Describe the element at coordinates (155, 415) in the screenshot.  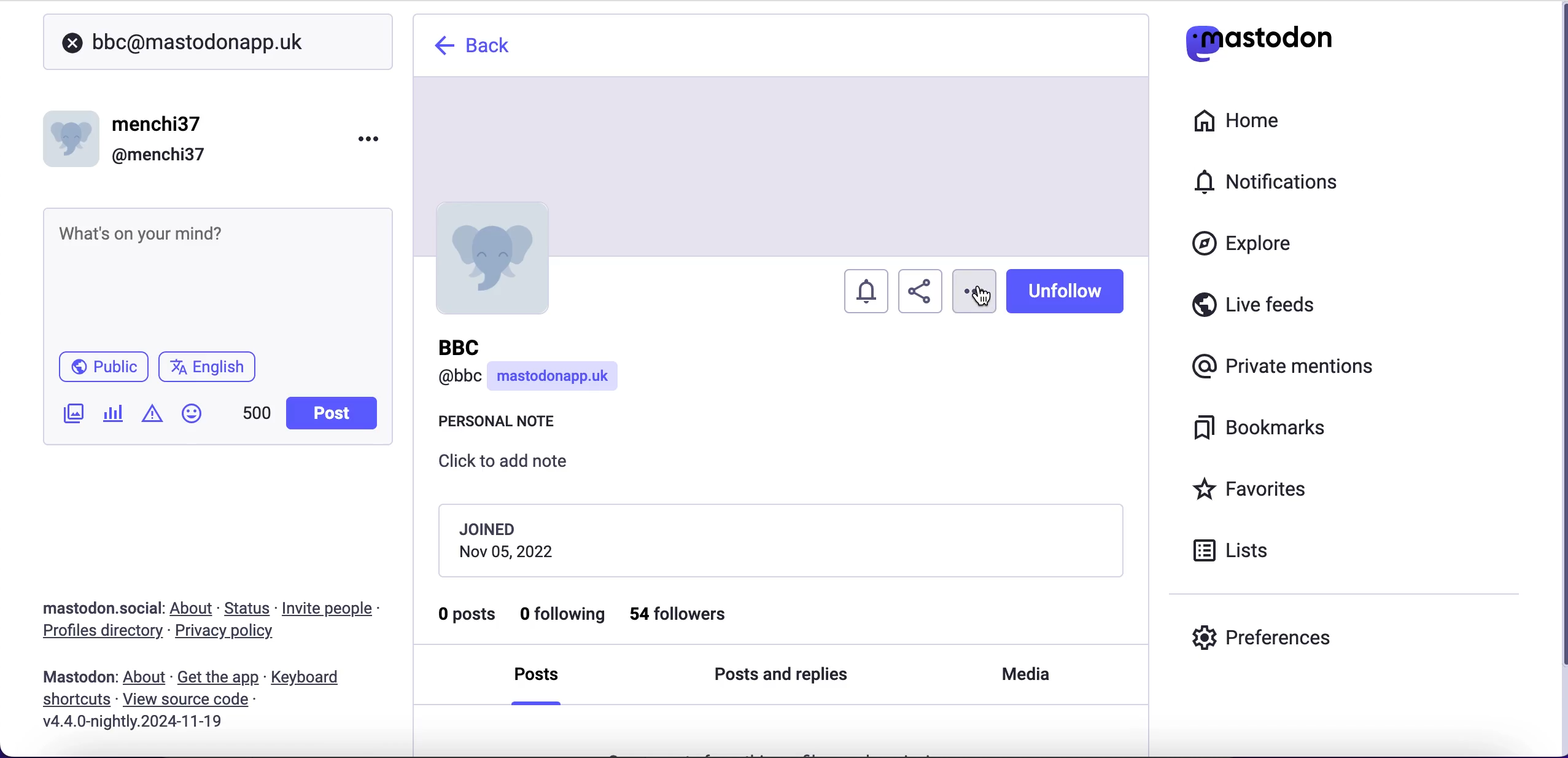
I see `add content warning` at that location.